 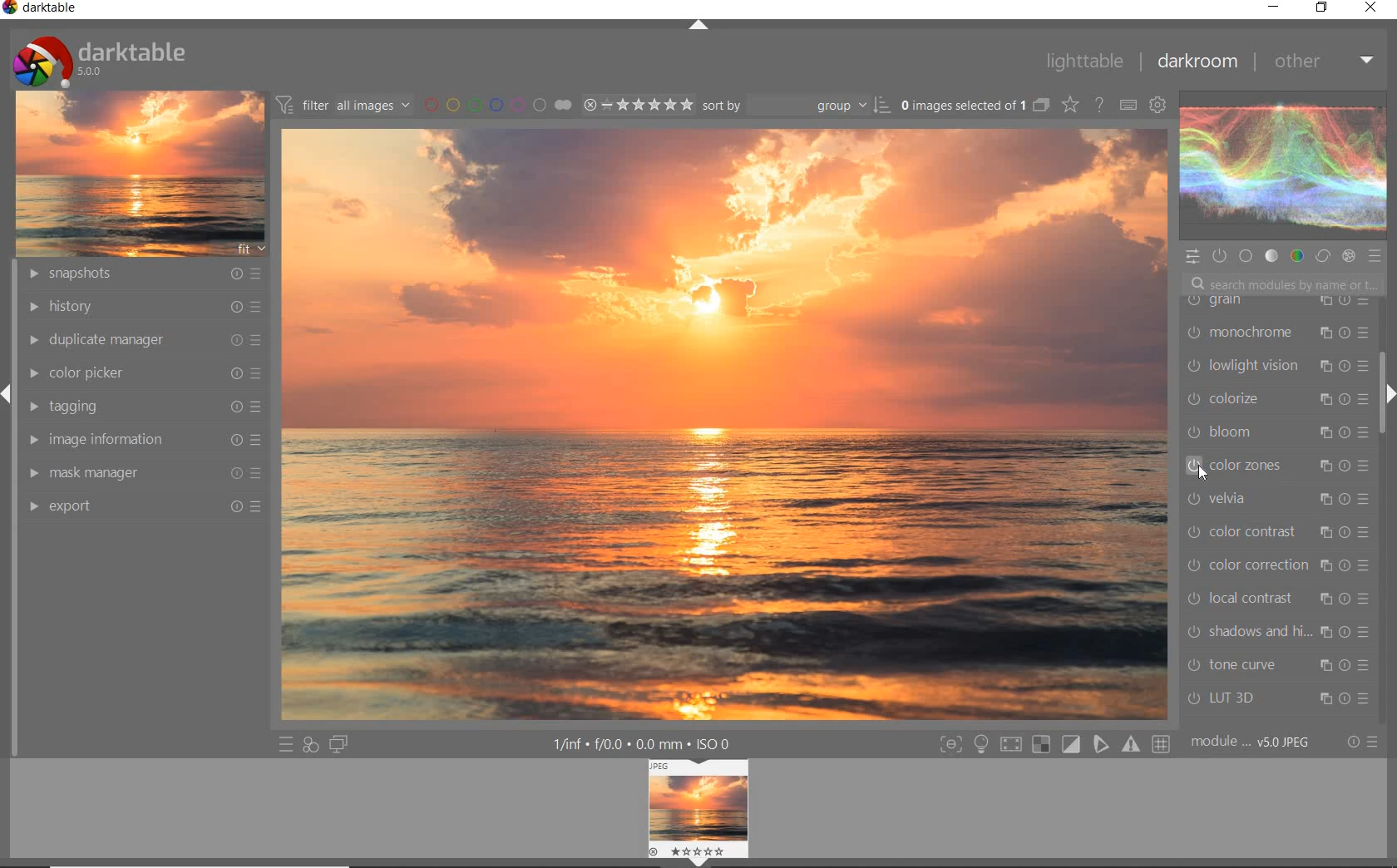 What do you see at coordinates (1040, 104) in the screenshot?
I see `COLLAPSE GROUPED IMAGES` at bounding box center [1040, 104].